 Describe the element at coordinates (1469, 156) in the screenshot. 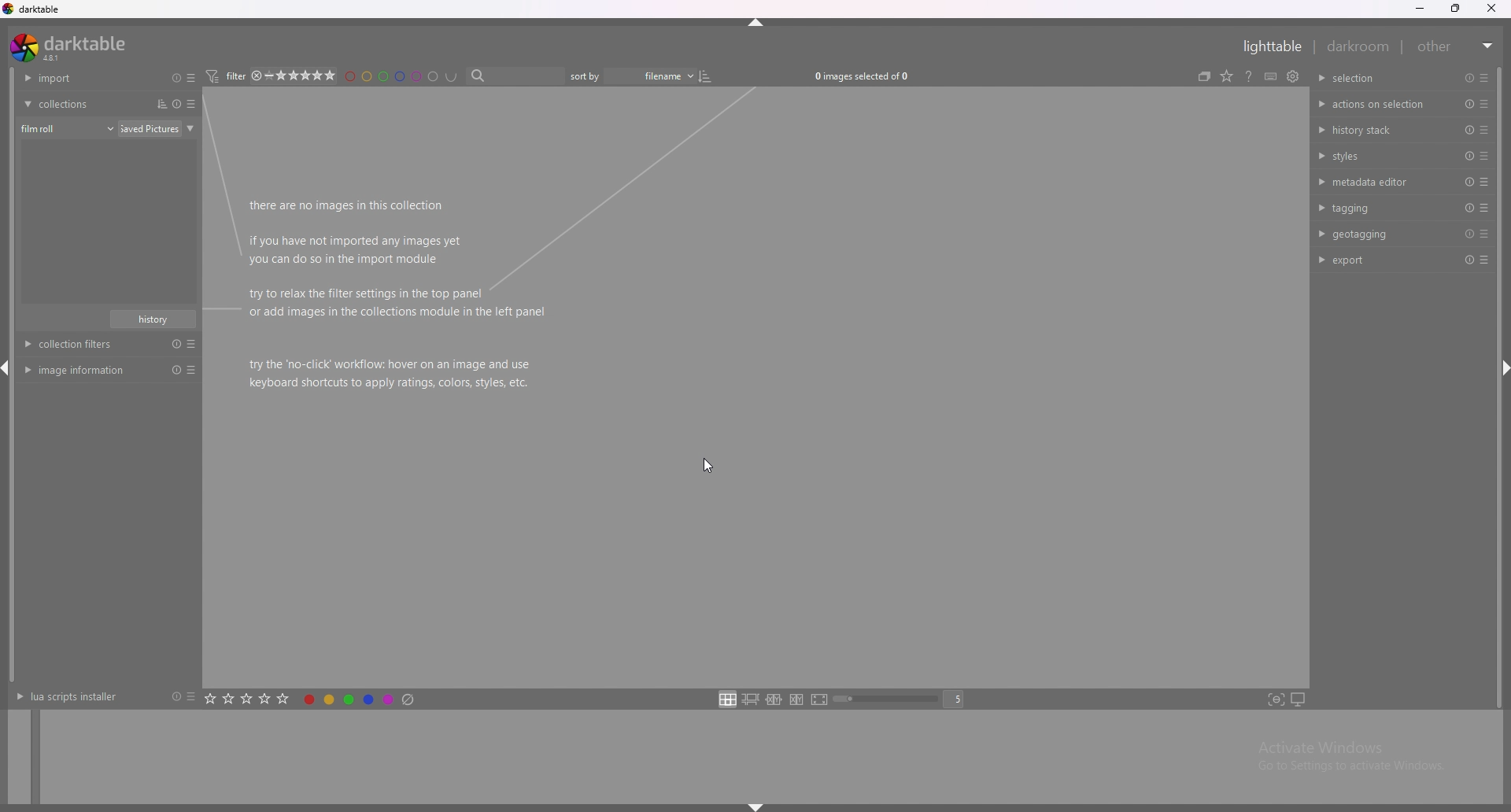

I see `reset` at that location.